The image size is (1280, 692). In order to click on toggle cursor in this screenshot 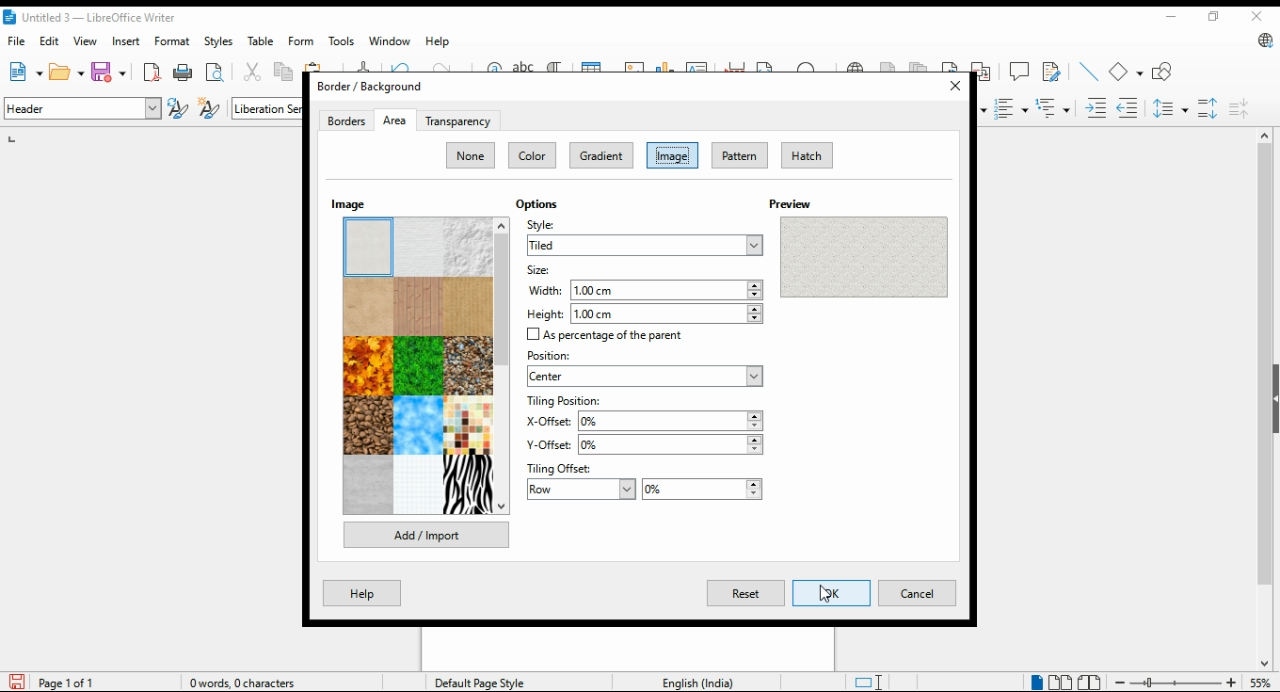, I will do `click(871, 682)`.